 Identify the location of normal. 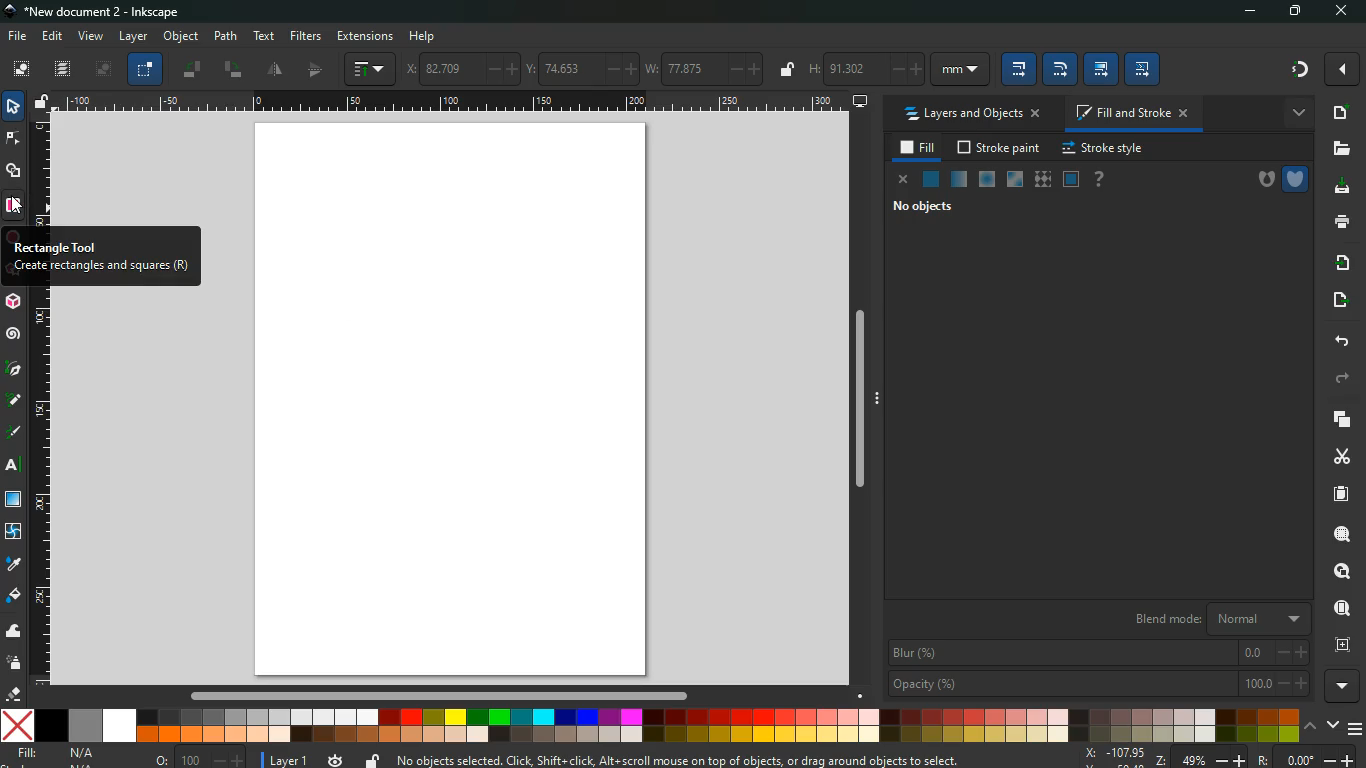
(930, 179).